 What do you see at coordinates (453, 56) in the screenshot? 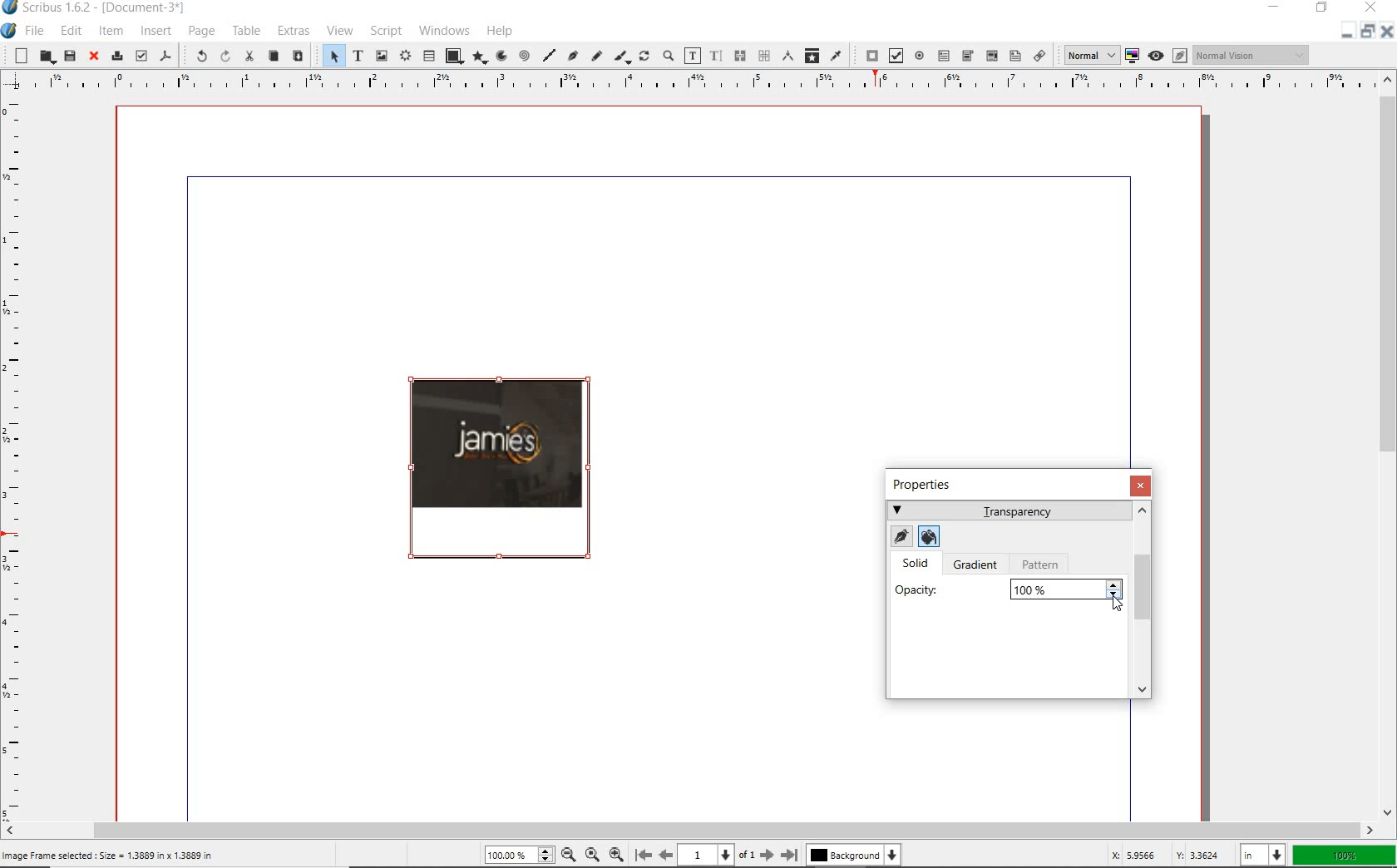
I see `shape` at bounding box center [453, 56].